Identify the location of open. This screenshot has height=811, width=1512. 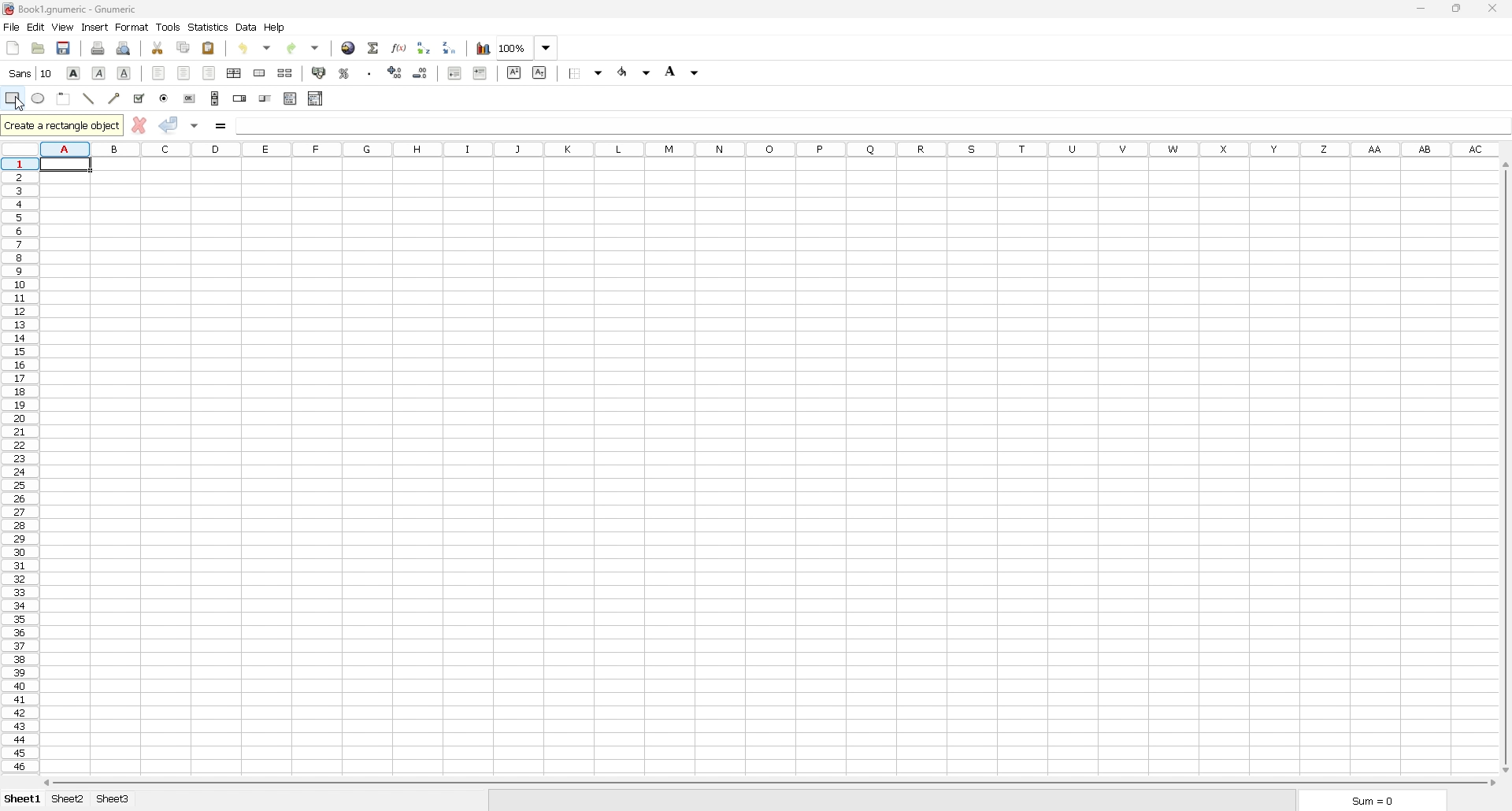
(39, 48).